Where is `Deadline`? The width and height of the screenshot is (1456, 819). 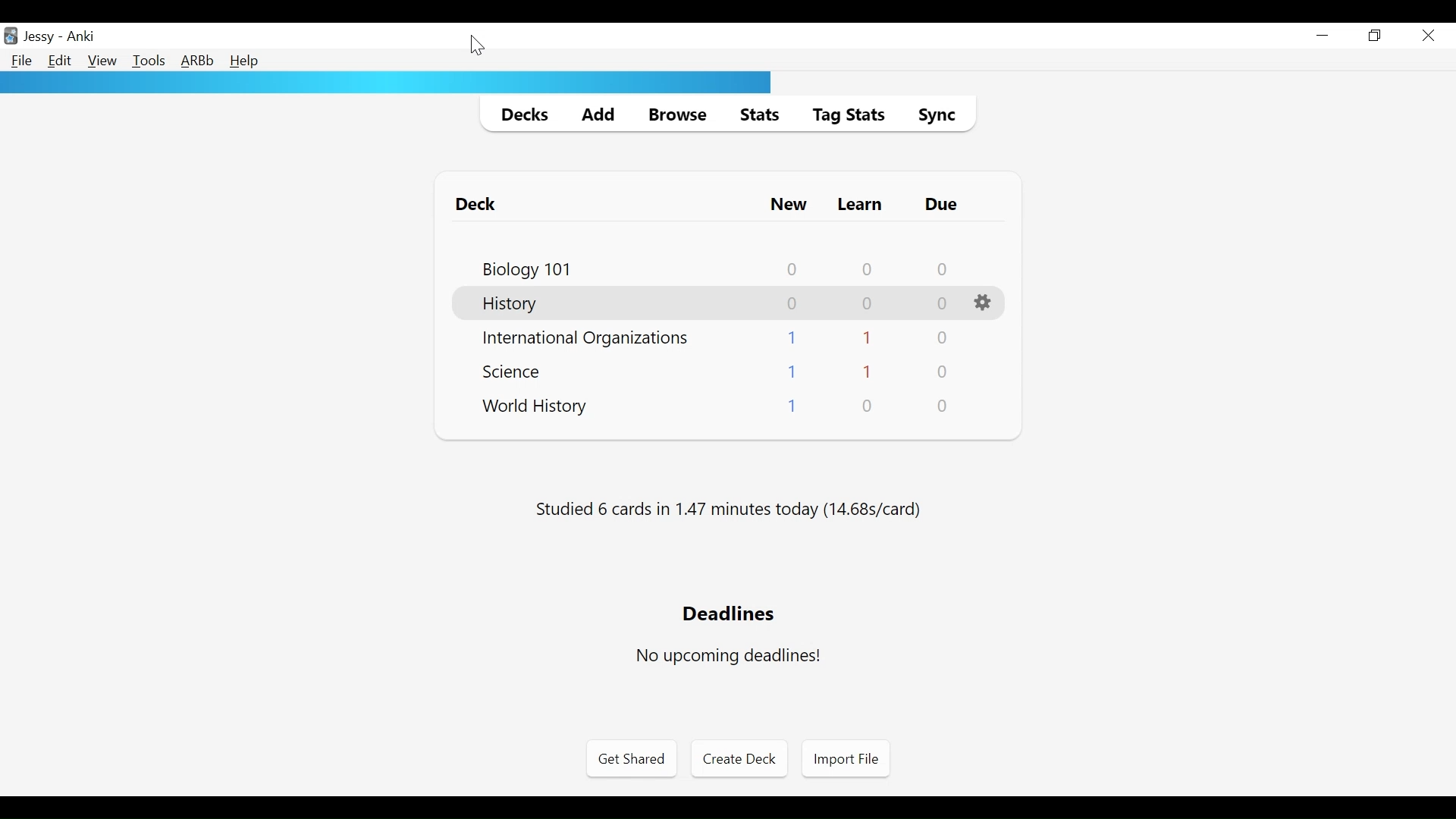
Deadline is located at coordinates (726, 614).